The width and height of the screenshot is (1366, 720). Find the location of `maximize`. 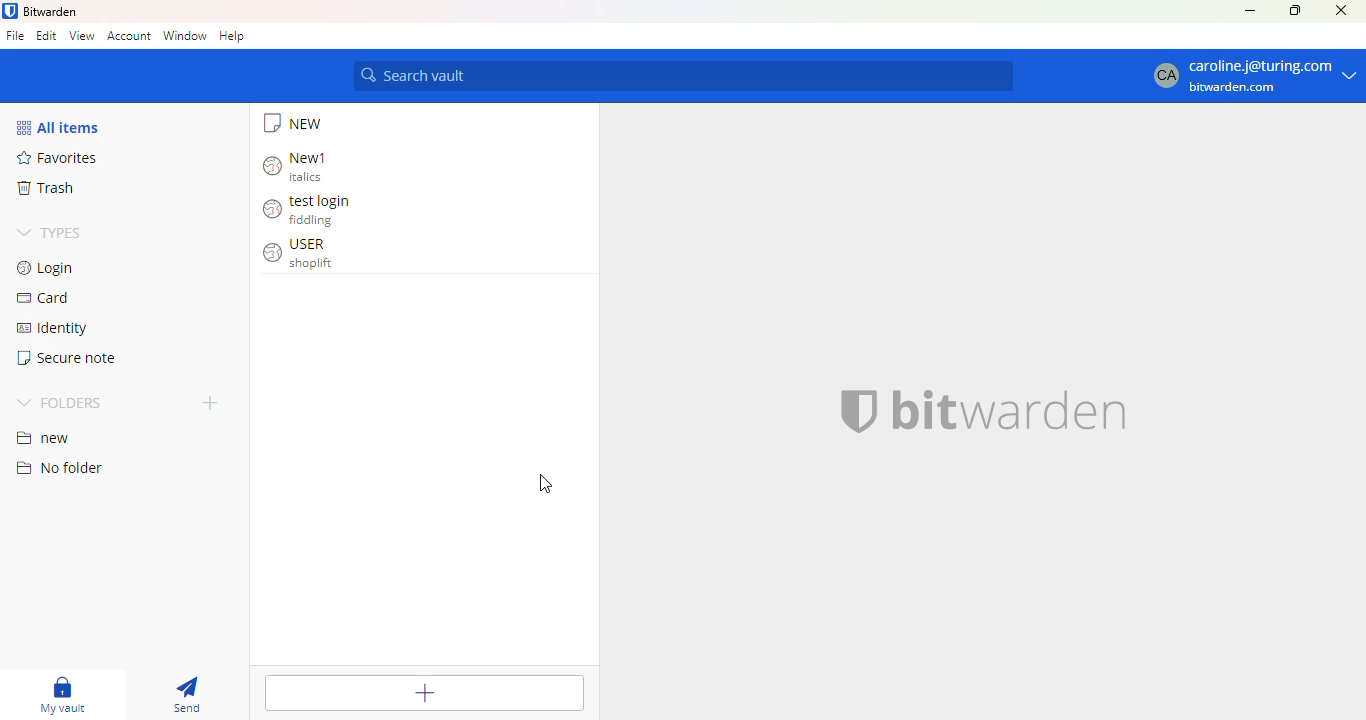

maximize is located at coordinates (1295, 11).